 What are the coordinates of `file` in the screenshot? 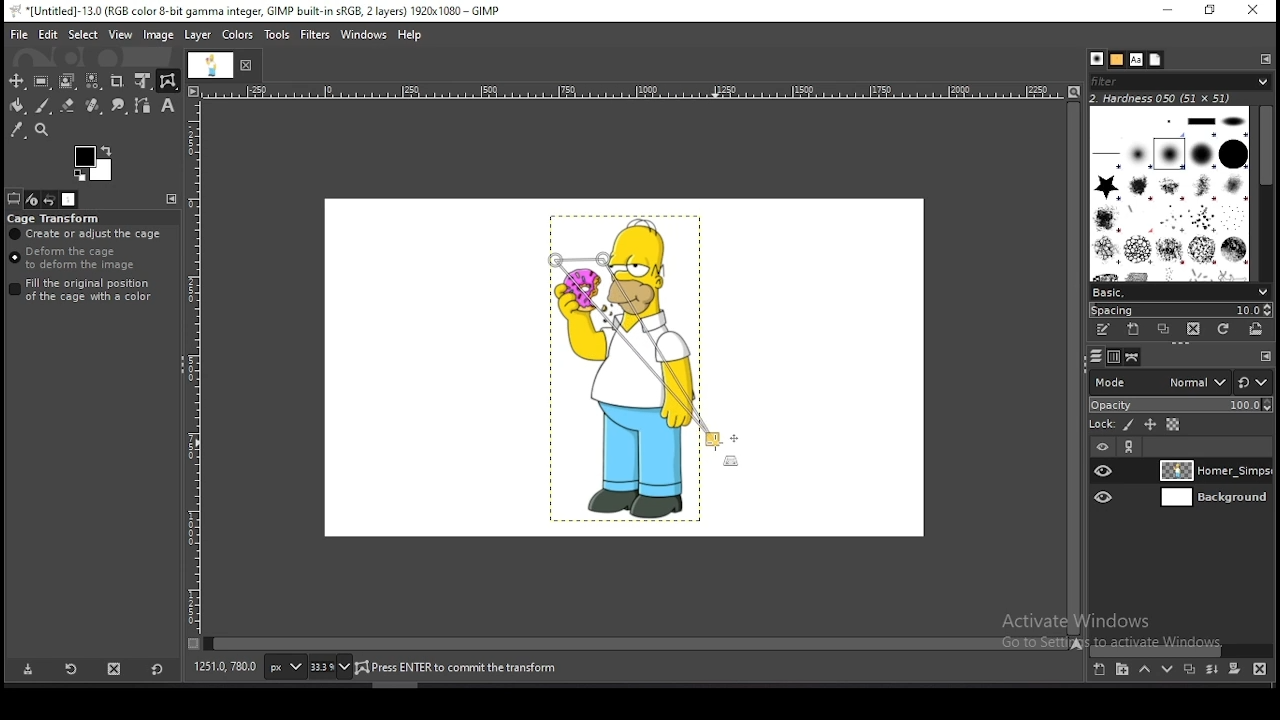 It's located at (19, 33).